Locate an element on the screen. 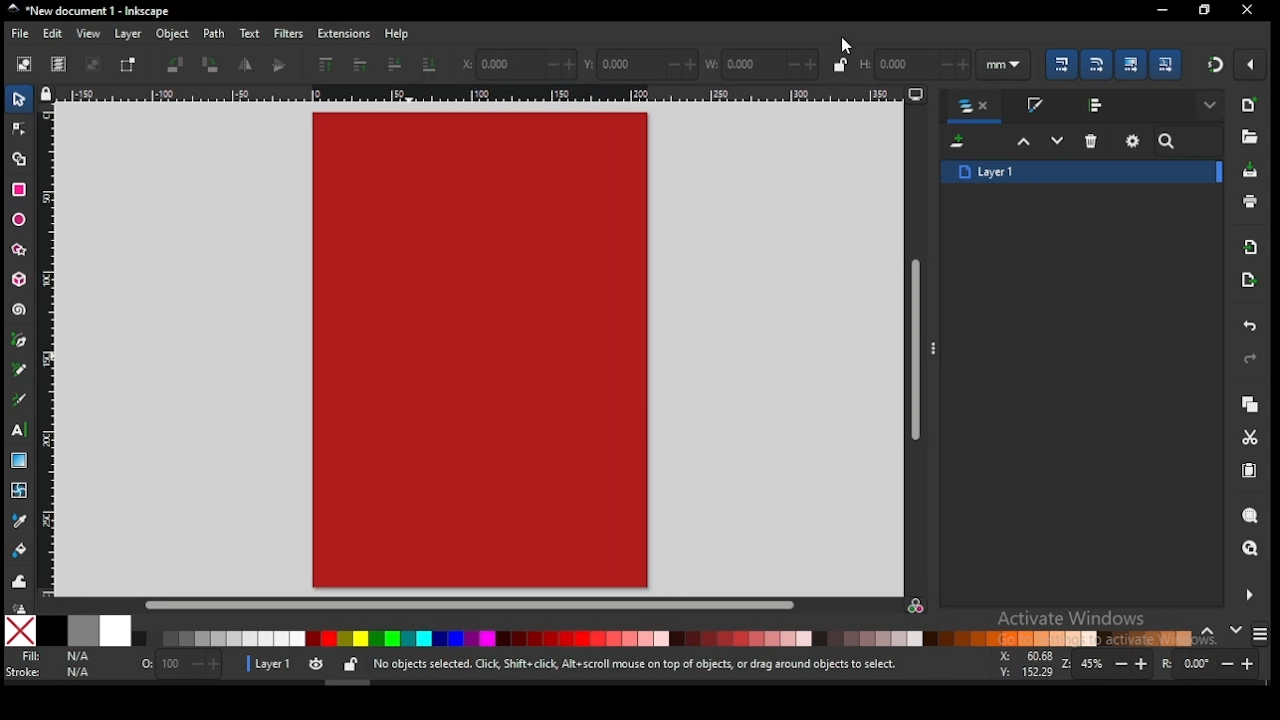 This screenshot has height=720, width=1280. gradient tool is located at coordinates (21, 462).